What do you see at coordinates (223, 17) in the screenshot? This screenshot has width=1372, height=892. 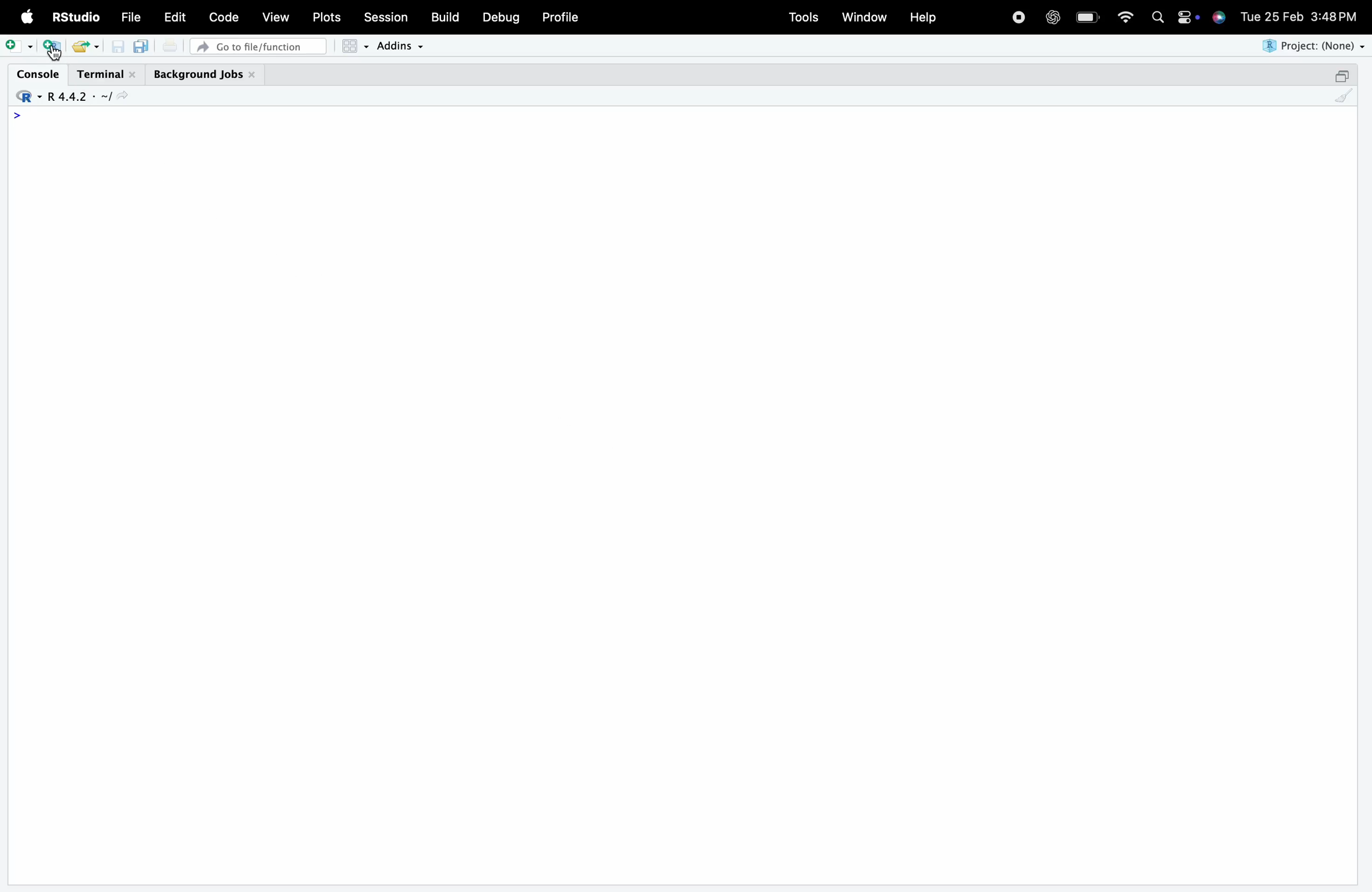 I see `Code` at bounding box center [223, 17].